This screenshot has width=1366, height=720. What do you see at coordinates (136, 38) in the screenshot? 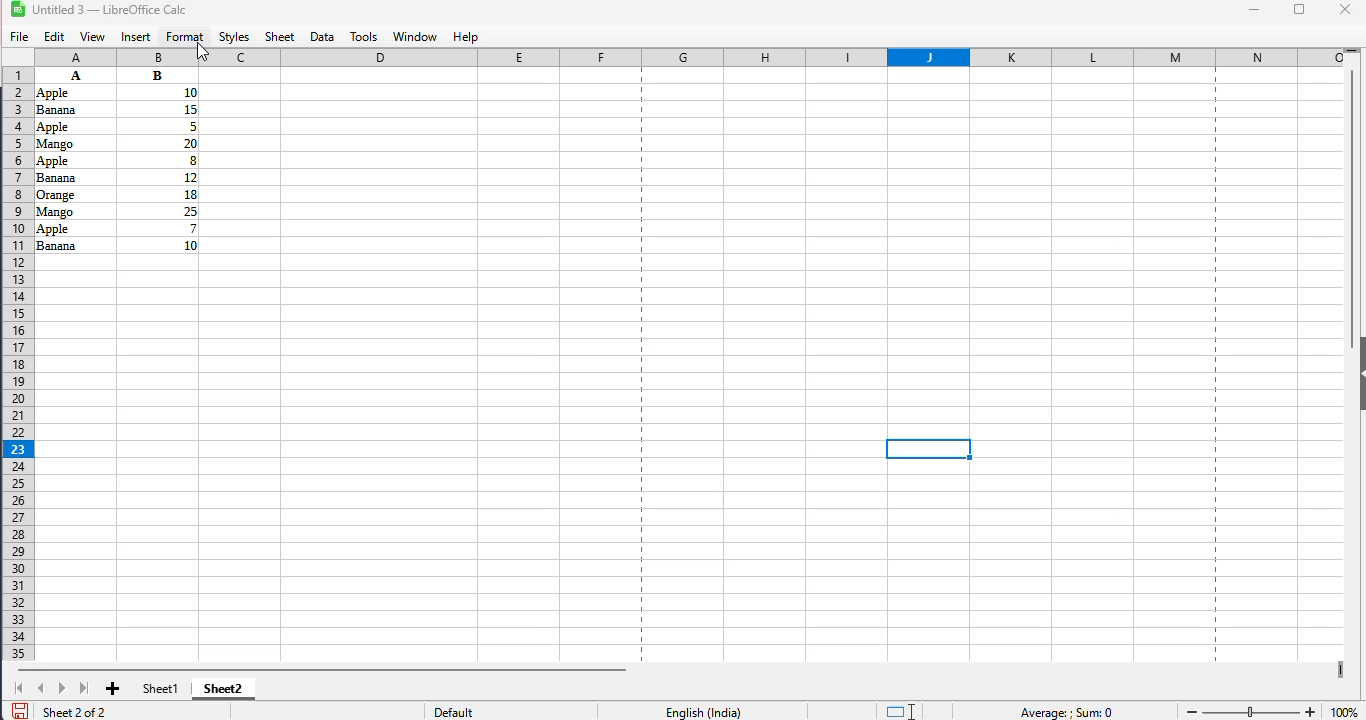
I see `insert` at bounding box center [136, 38].